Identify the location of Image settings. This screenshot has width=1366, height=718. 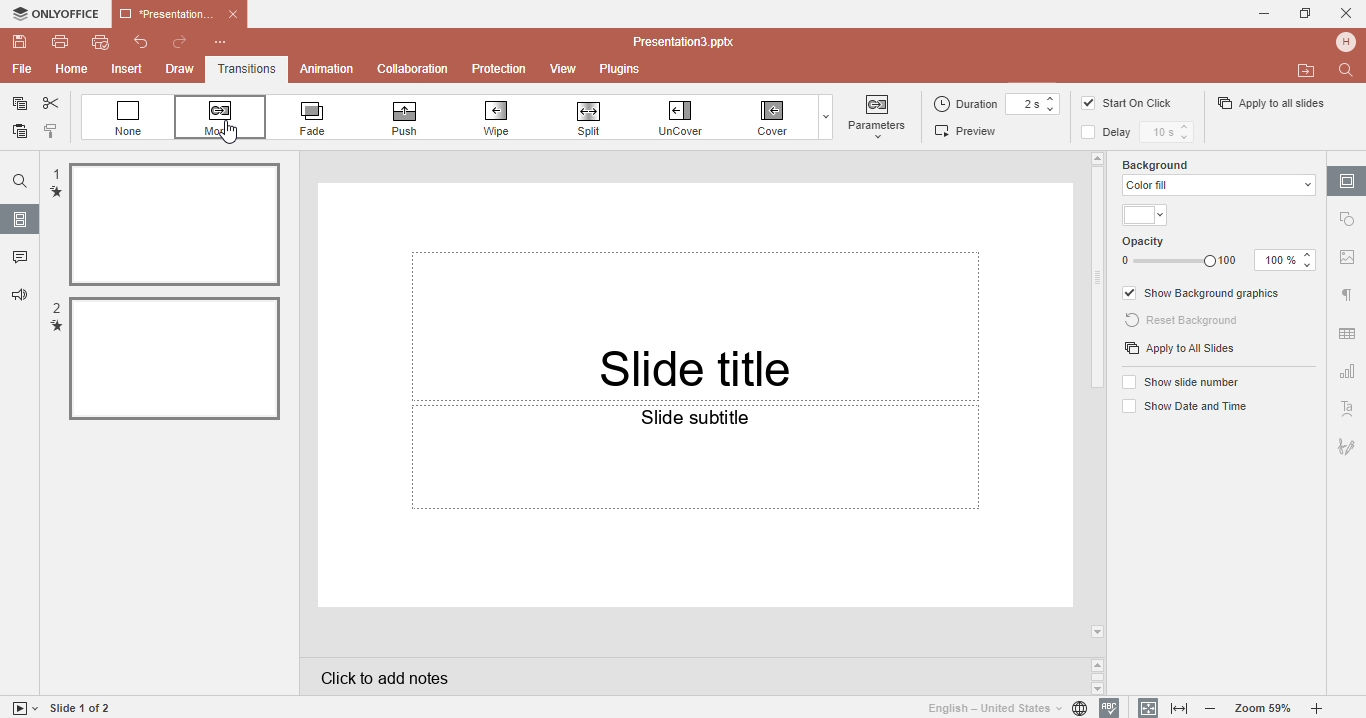
(1347, 261).